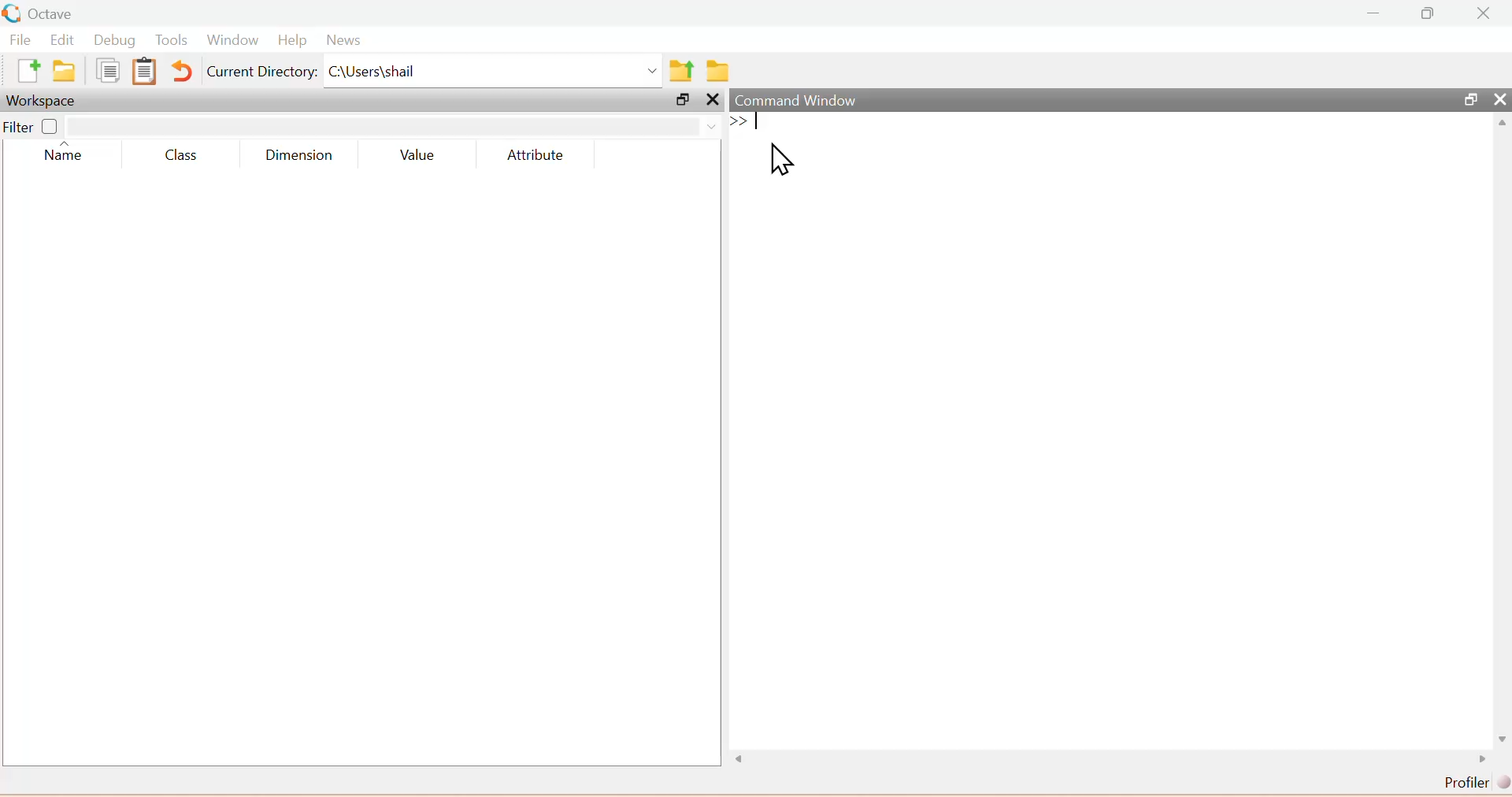 The width and height of the screenshot is (1512, 797). I want to click on search box, so click(382, 126).